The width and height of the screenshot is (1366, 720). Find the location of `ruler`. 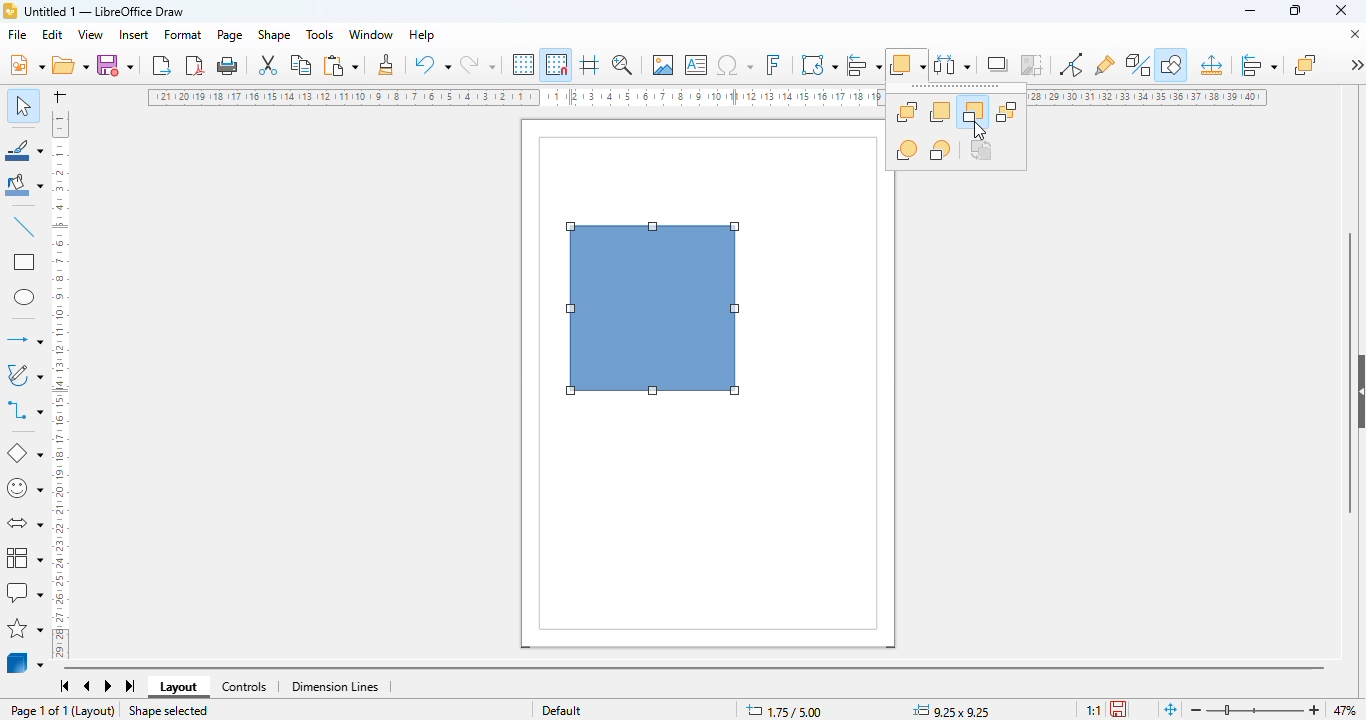

ruler is located at coordinates (1150, 98).